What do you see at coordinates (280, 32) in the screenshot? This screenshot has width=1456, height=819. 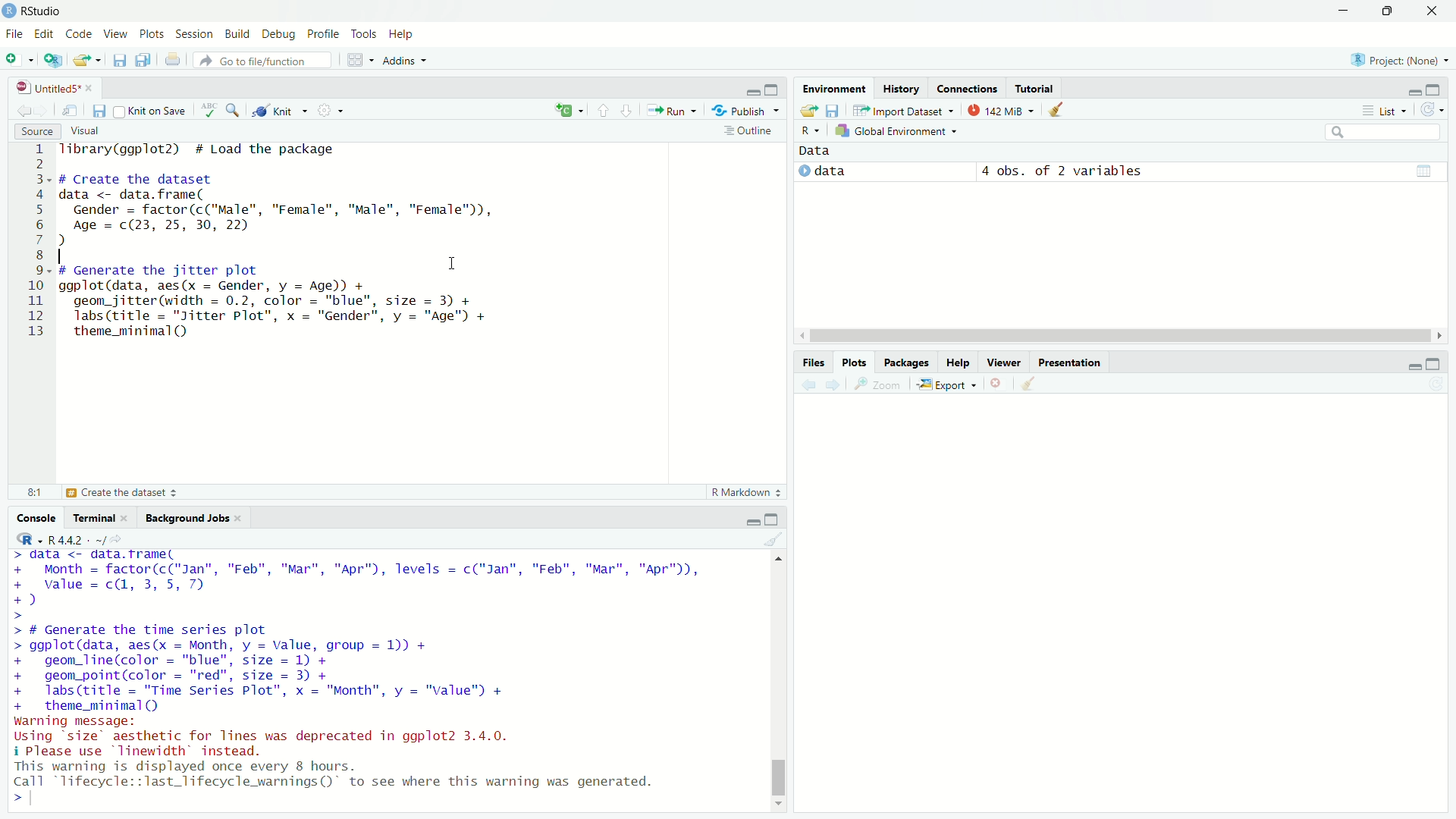 I see `debug` at bounding box center [280, 32].